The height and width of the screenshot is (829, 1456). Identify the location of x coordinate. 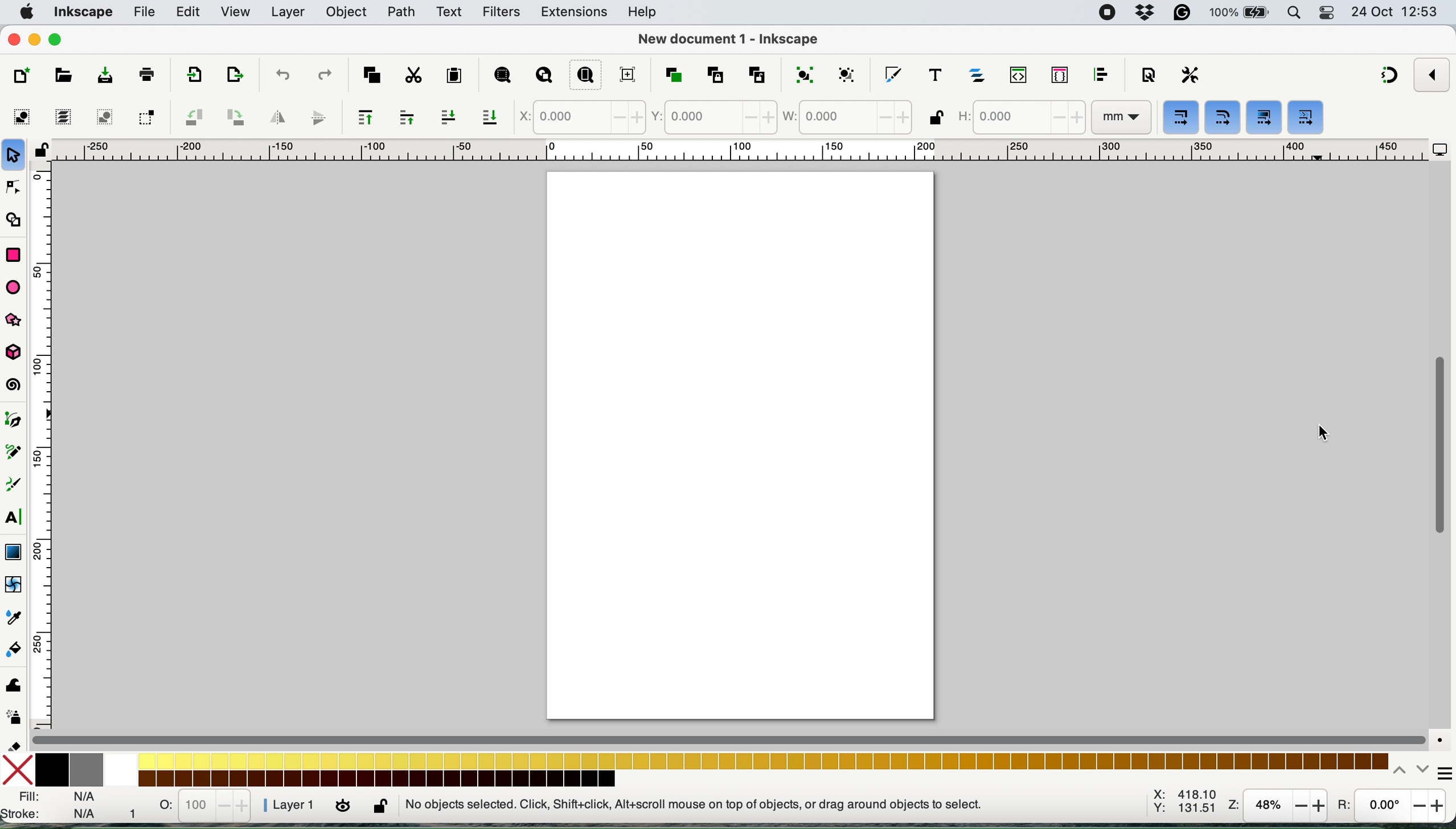
(578, 118).